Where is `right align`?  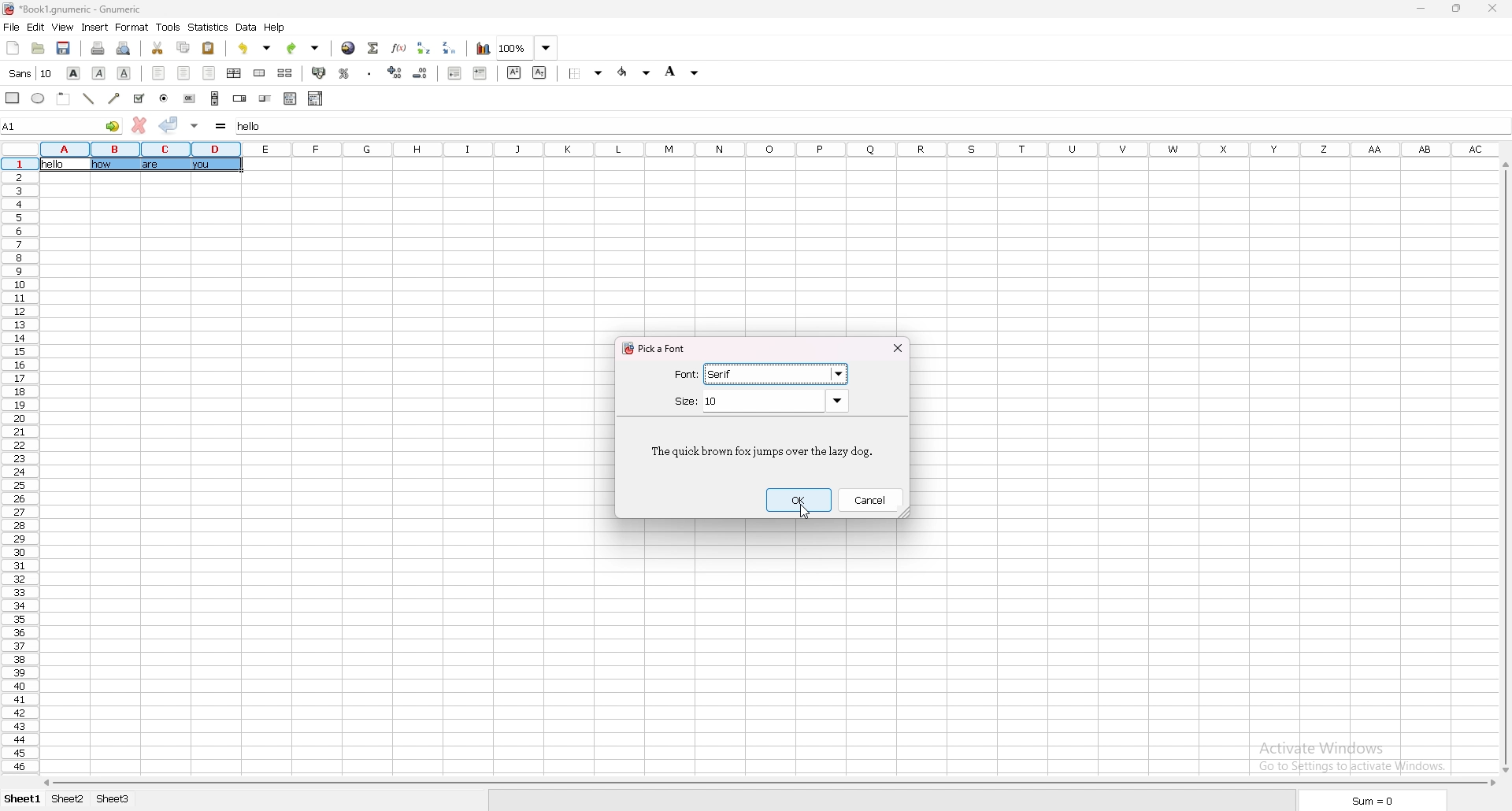
right align is located at coordinates (209, 73).